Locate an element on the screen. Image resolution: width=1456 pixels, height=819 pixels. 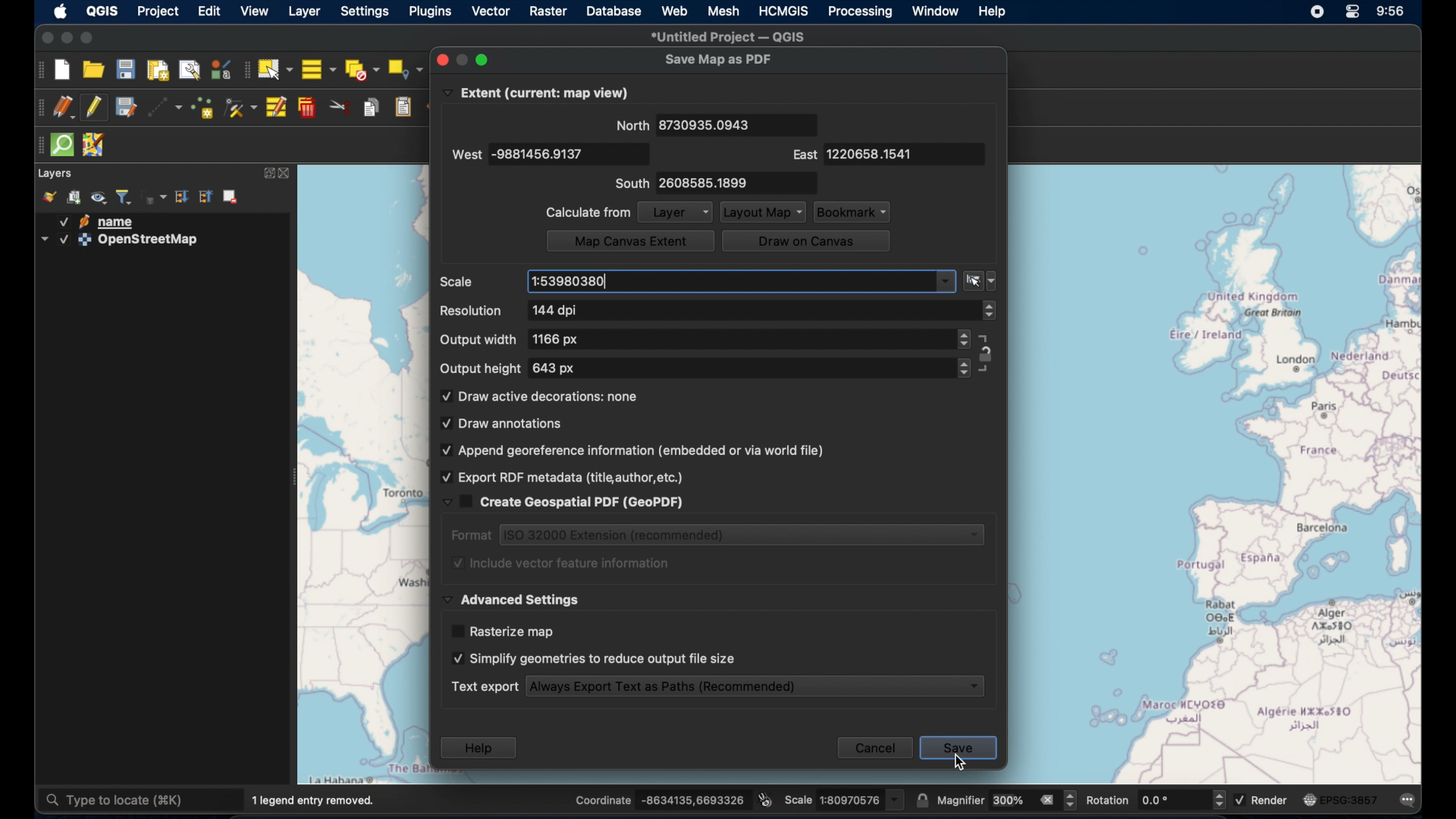
lock scale is located at coordinates (924, 802).